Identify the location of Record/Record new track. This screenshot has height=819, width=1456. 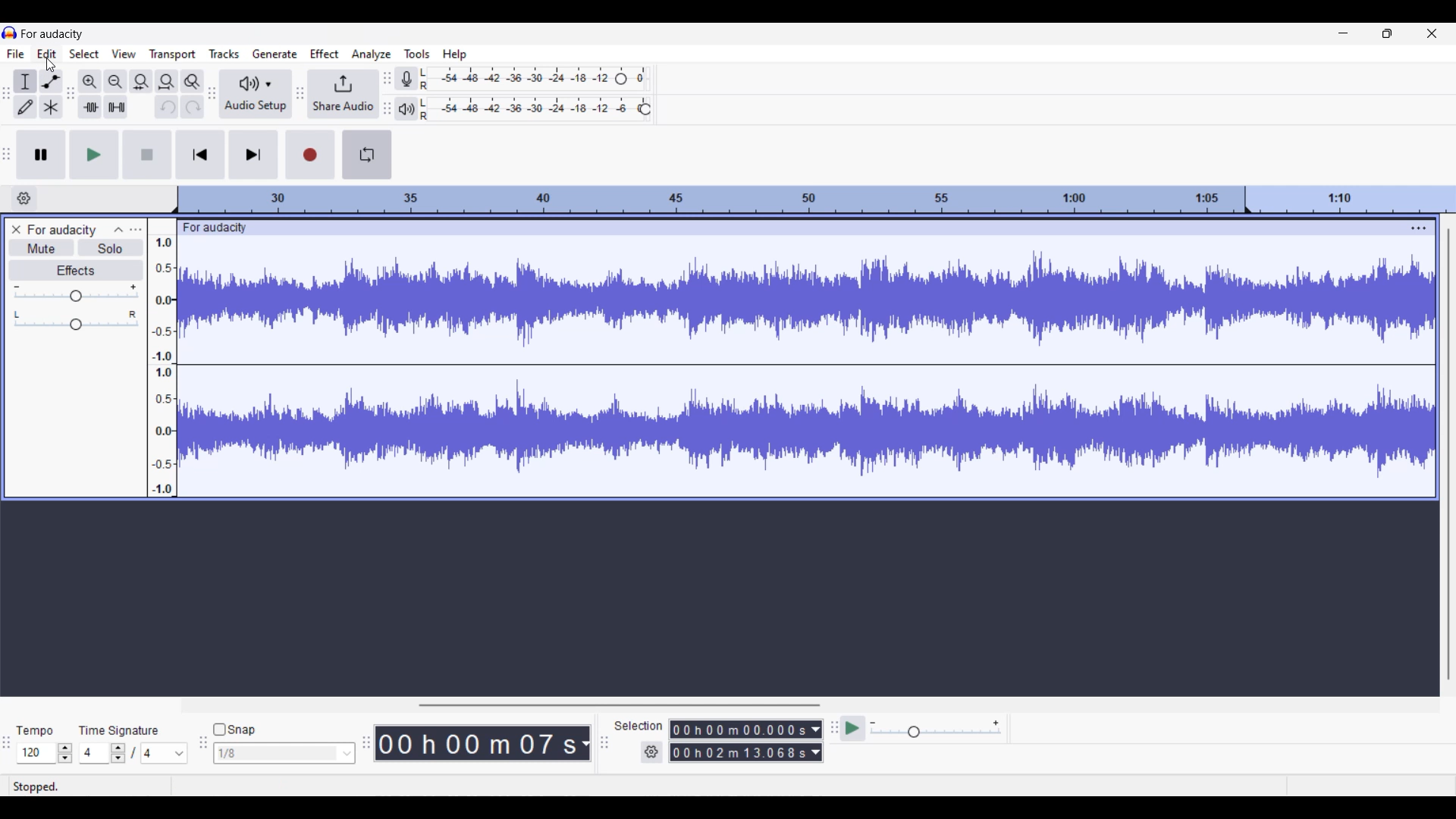
(310, 155).